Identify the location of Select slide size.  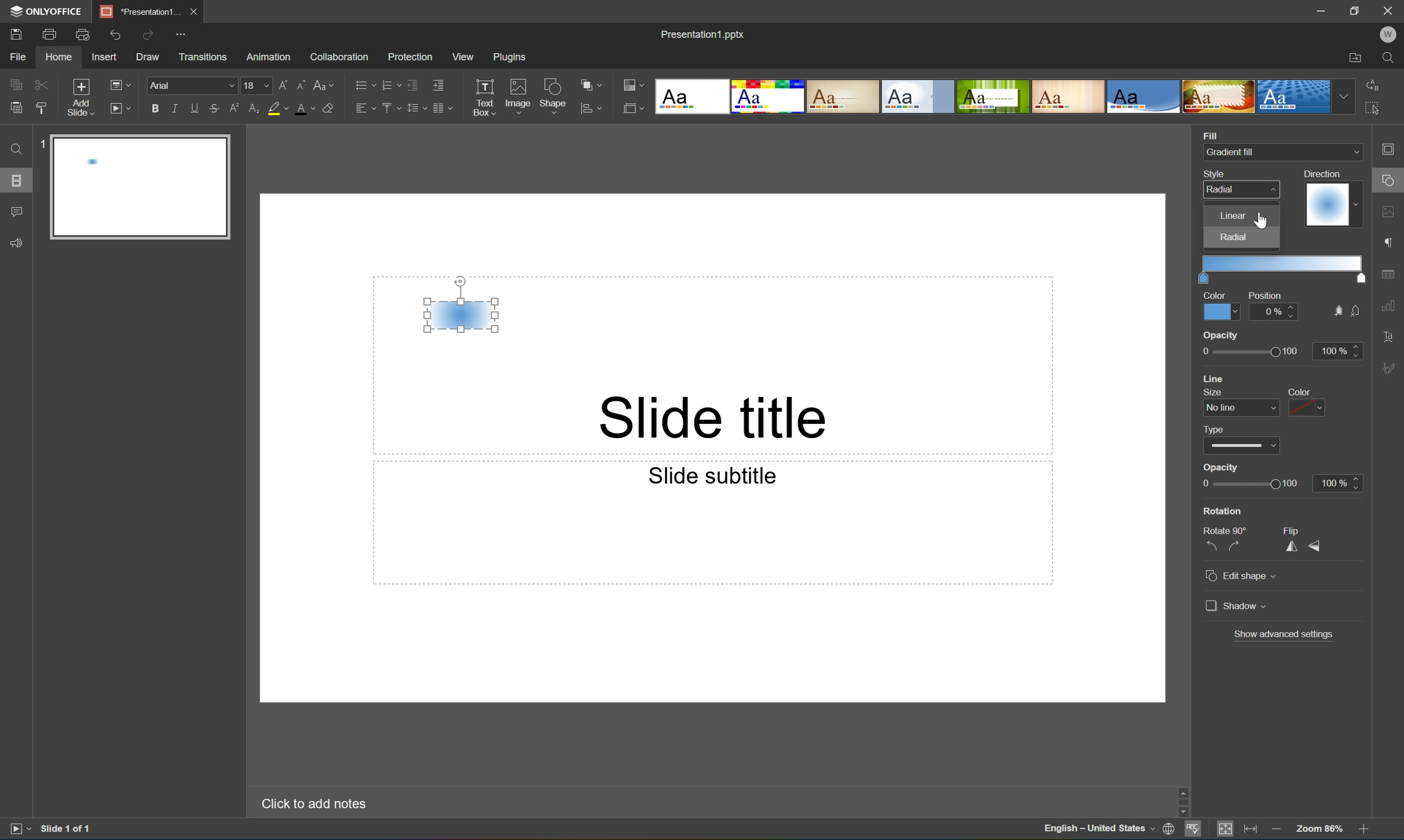
(633, 110).